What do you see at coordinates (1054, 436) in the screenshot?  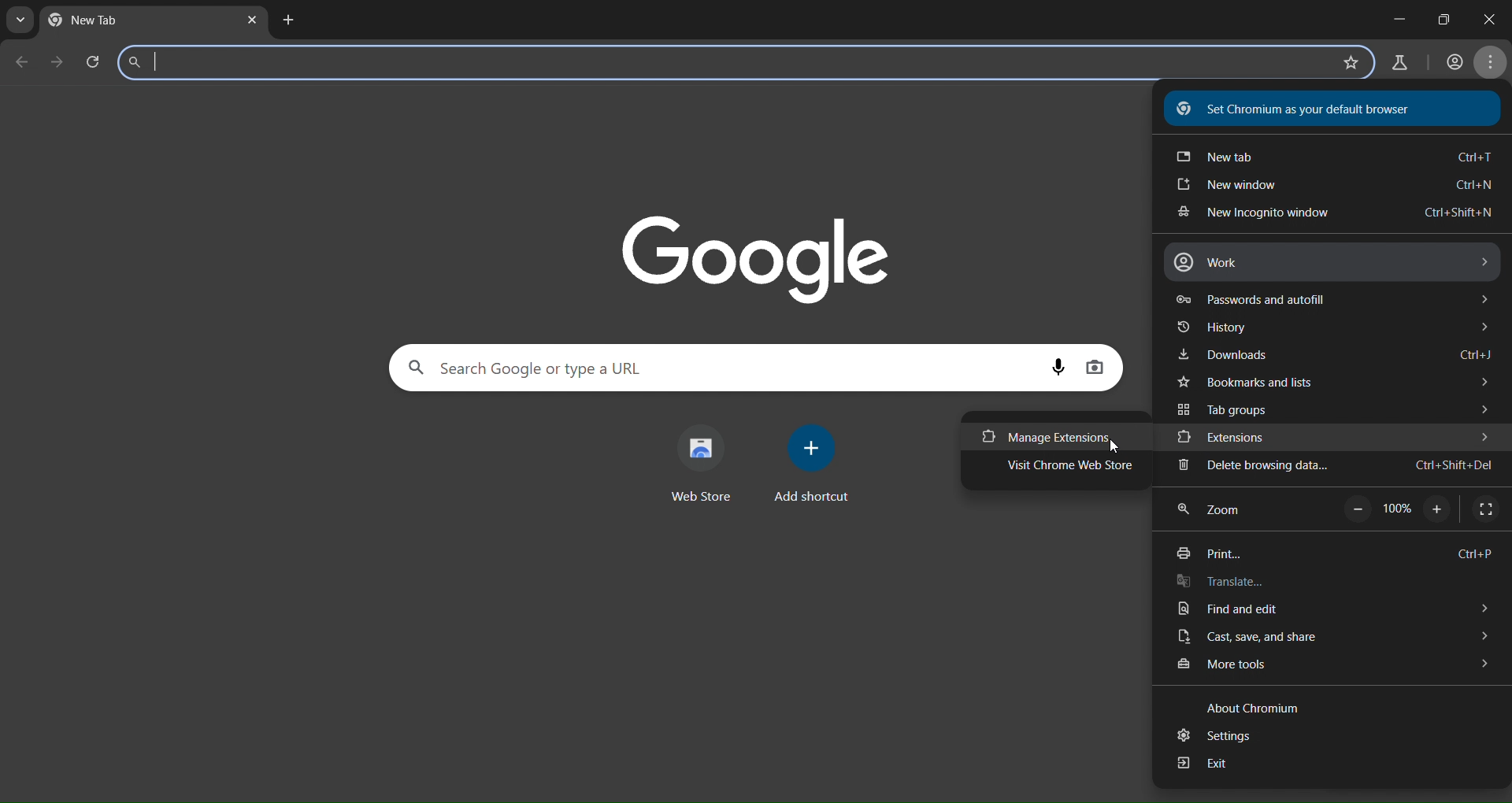 I see `manage extensions` at bounding box center [1054, 436].